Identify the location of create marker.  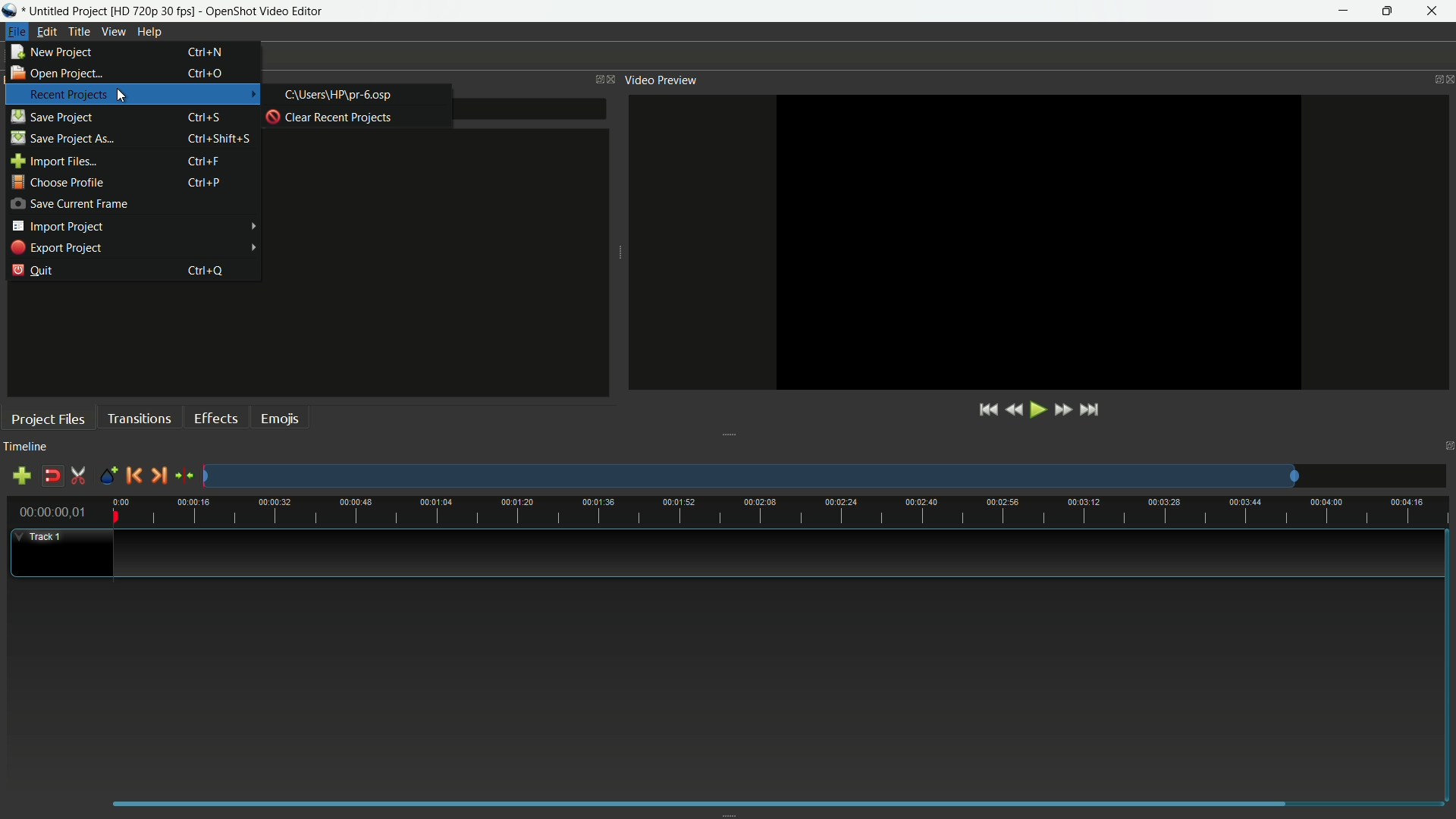
(108, 477).